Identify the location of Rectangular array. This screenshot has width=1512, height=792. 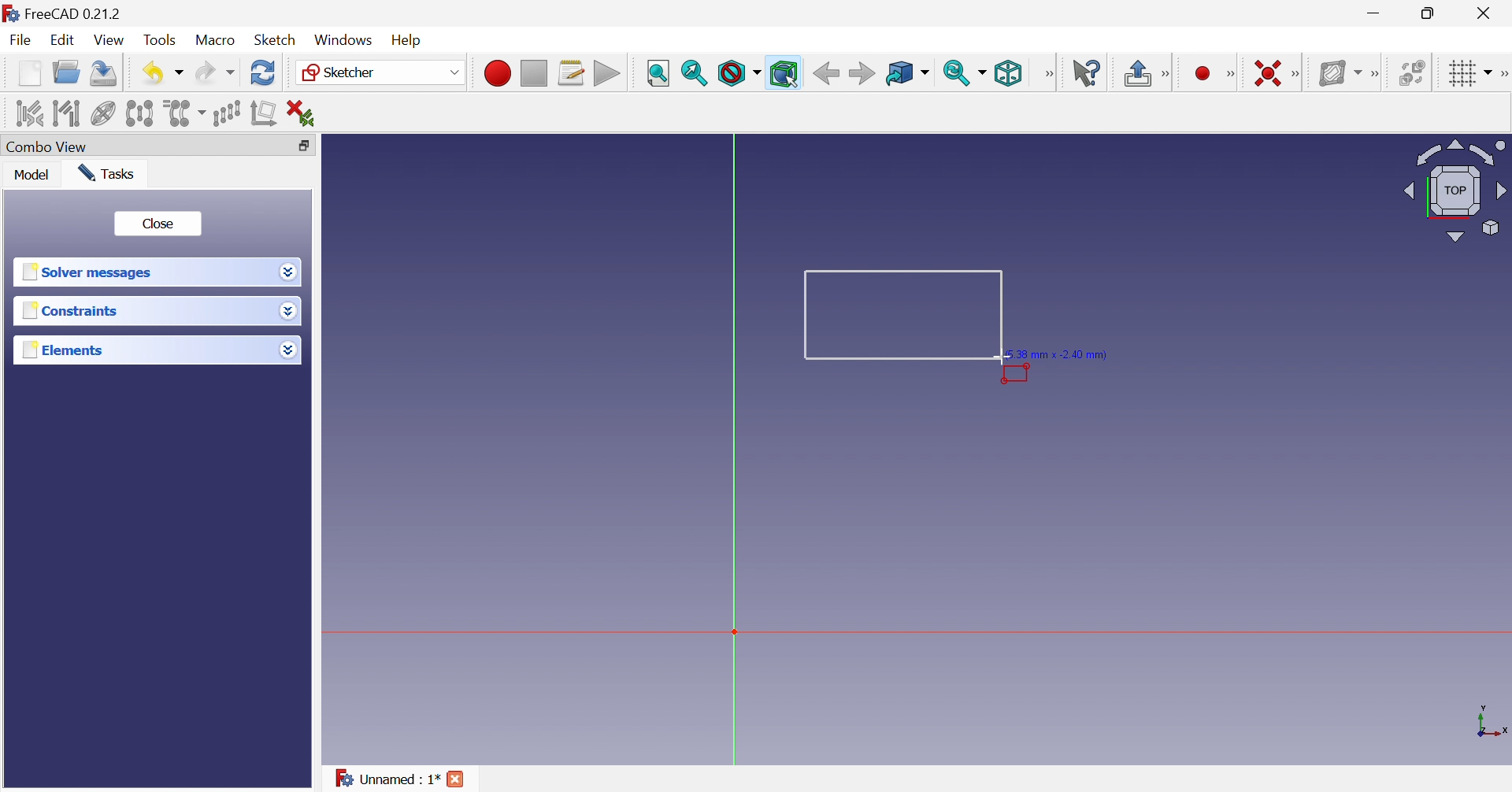
(228, 114).